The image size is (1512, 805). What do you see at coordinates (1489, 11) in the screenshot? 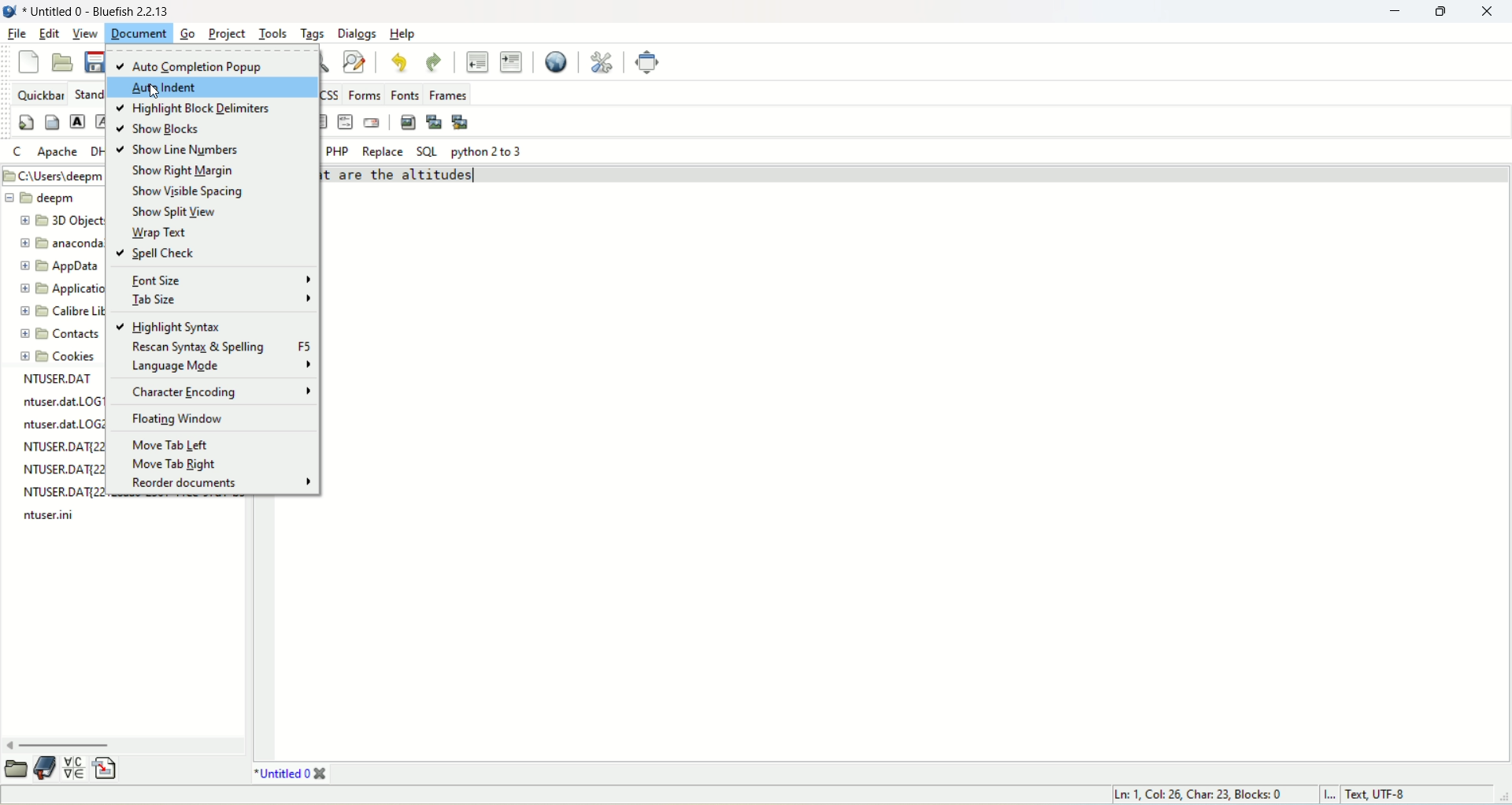
I see `close` at bounding box center [1489, 11].